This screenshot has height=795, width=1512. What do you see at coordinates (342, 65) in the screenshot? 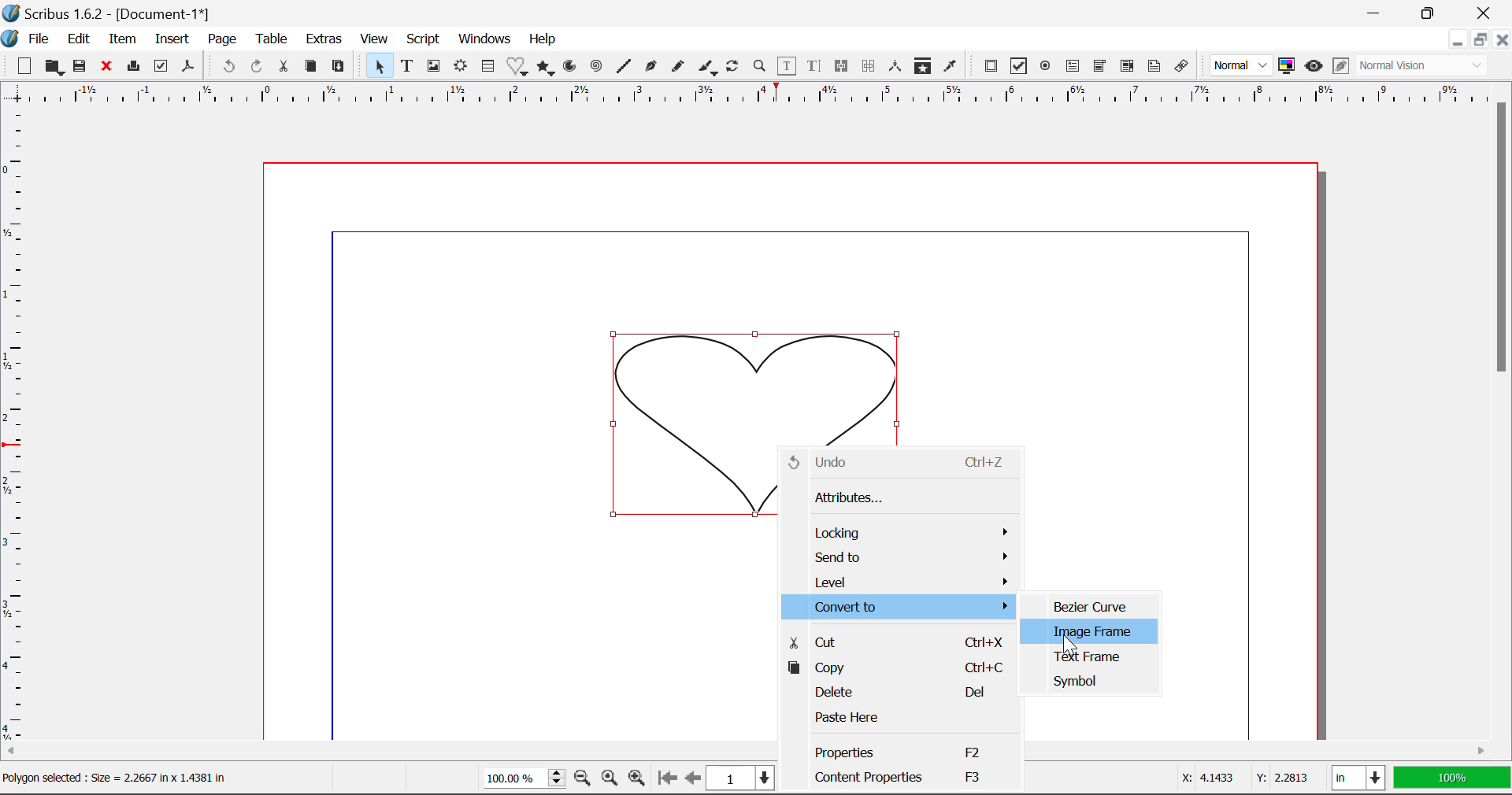
I see `Paste` at bounding box center [342, 65].